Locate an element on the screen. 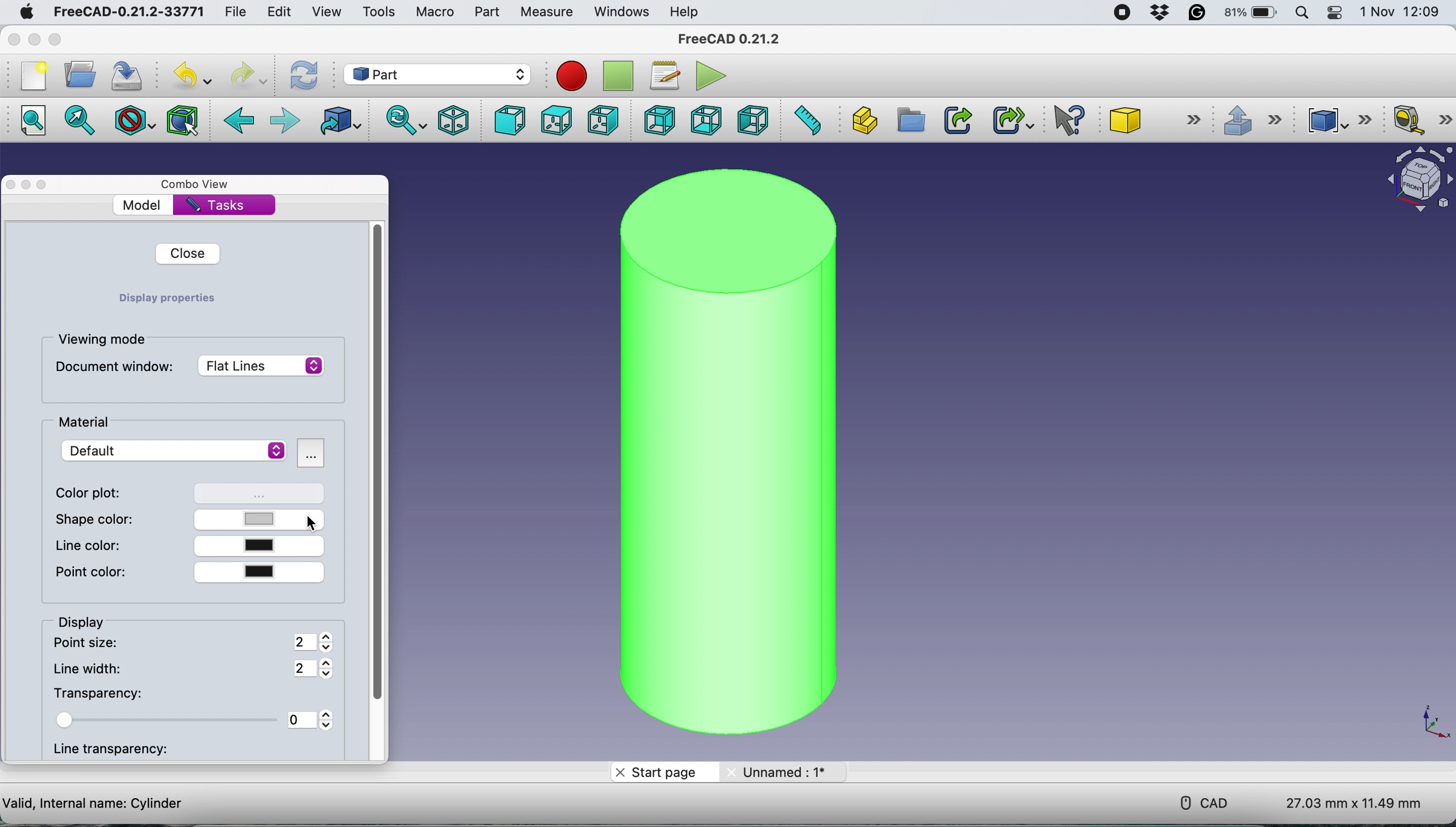  refresh is located at coordinates (304, 74).